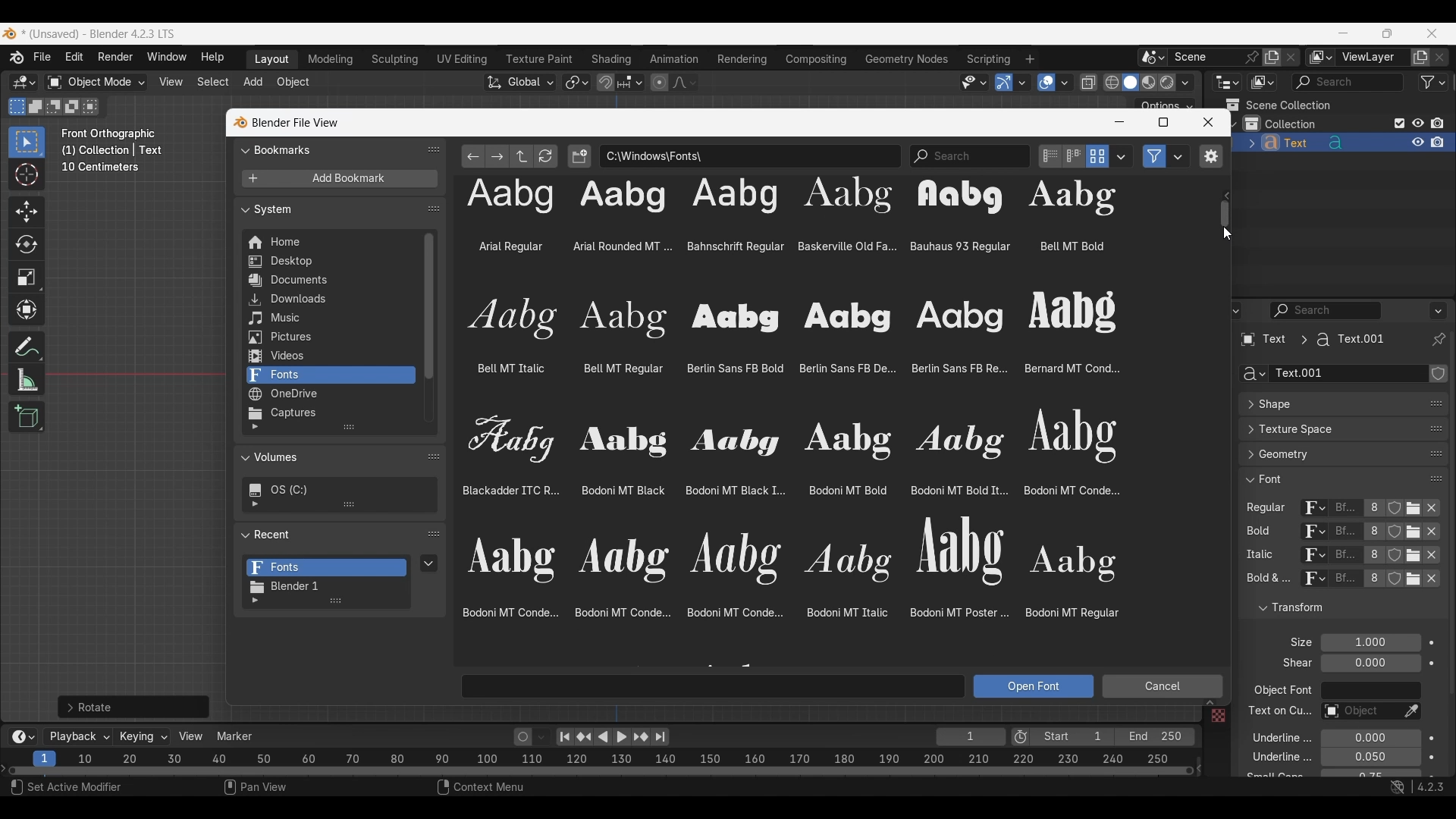 The height and width of the screenshot is (819, 1456). Describe the element at coordinates (817, 59) in the screenshot. I see `Compositing workspace` at that location.